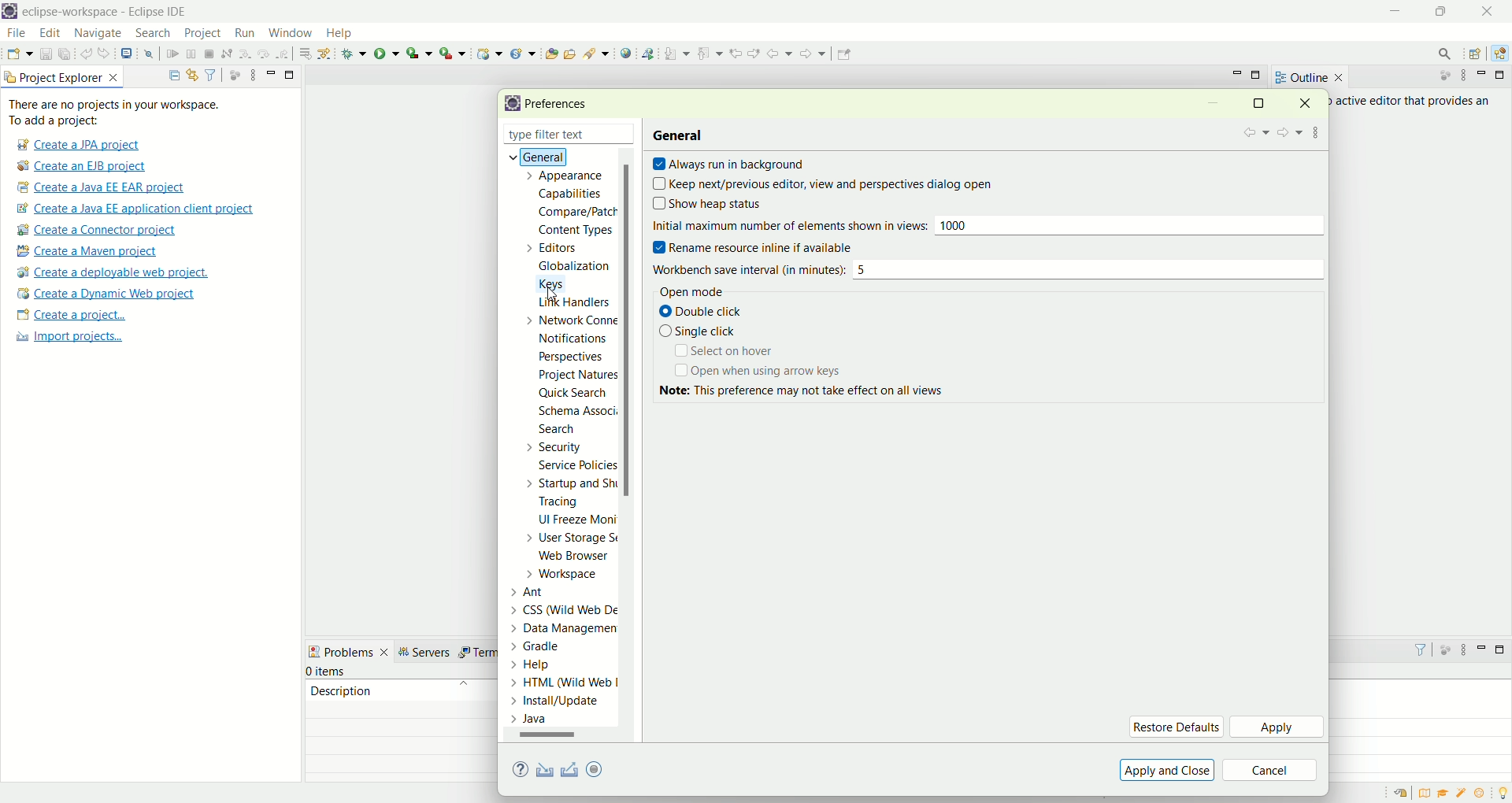 The width and height of the screenshot is (1512, 803). Describe the element at coordinates (63, 76) in the screenshot. I see `project explorer` at that location.